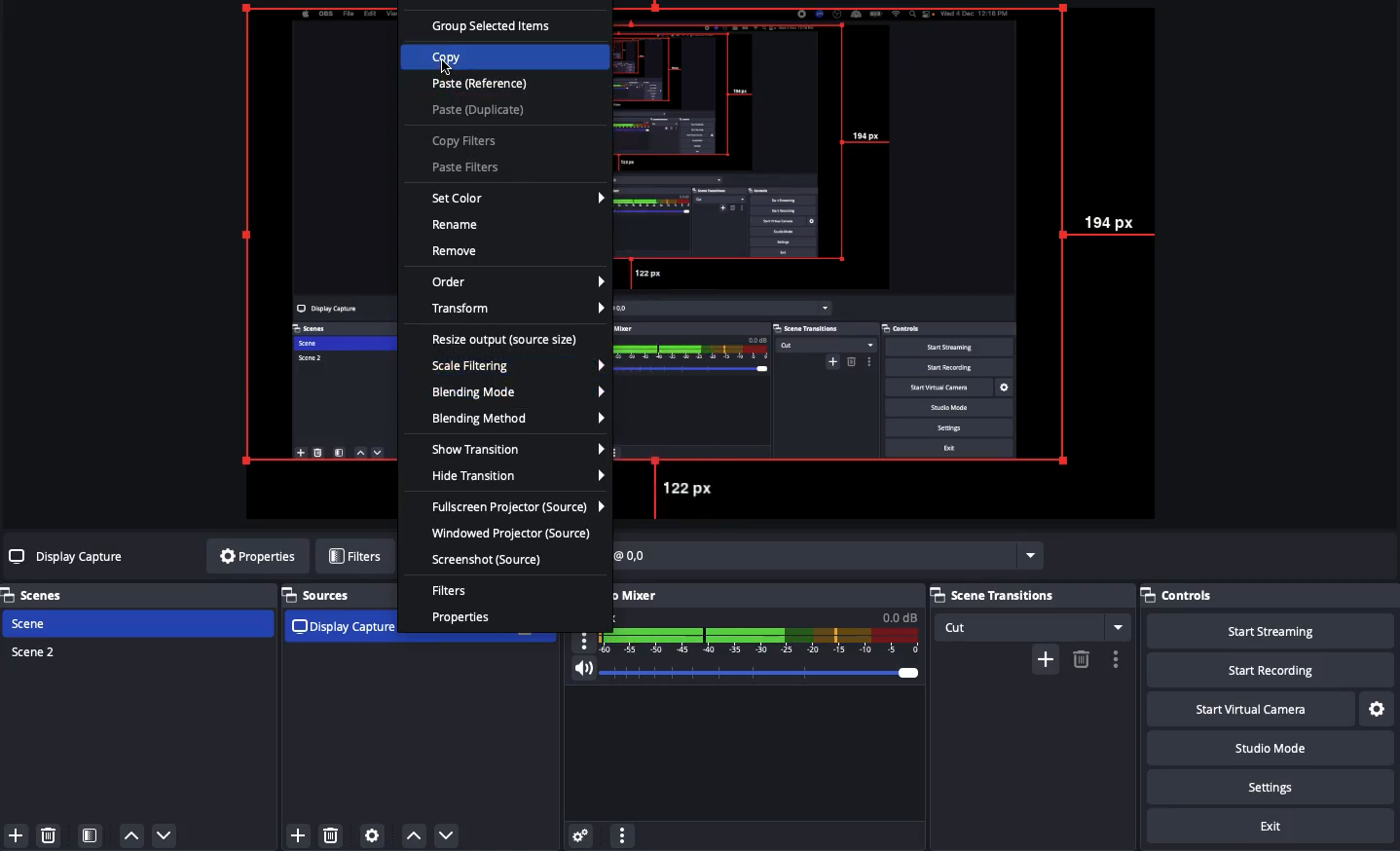 The height and width of the screenshot is (851, 1400). What do you see at coordinates (1119, 659) in the screenshot?
I see `more options` at bounding box center [1119, 659].